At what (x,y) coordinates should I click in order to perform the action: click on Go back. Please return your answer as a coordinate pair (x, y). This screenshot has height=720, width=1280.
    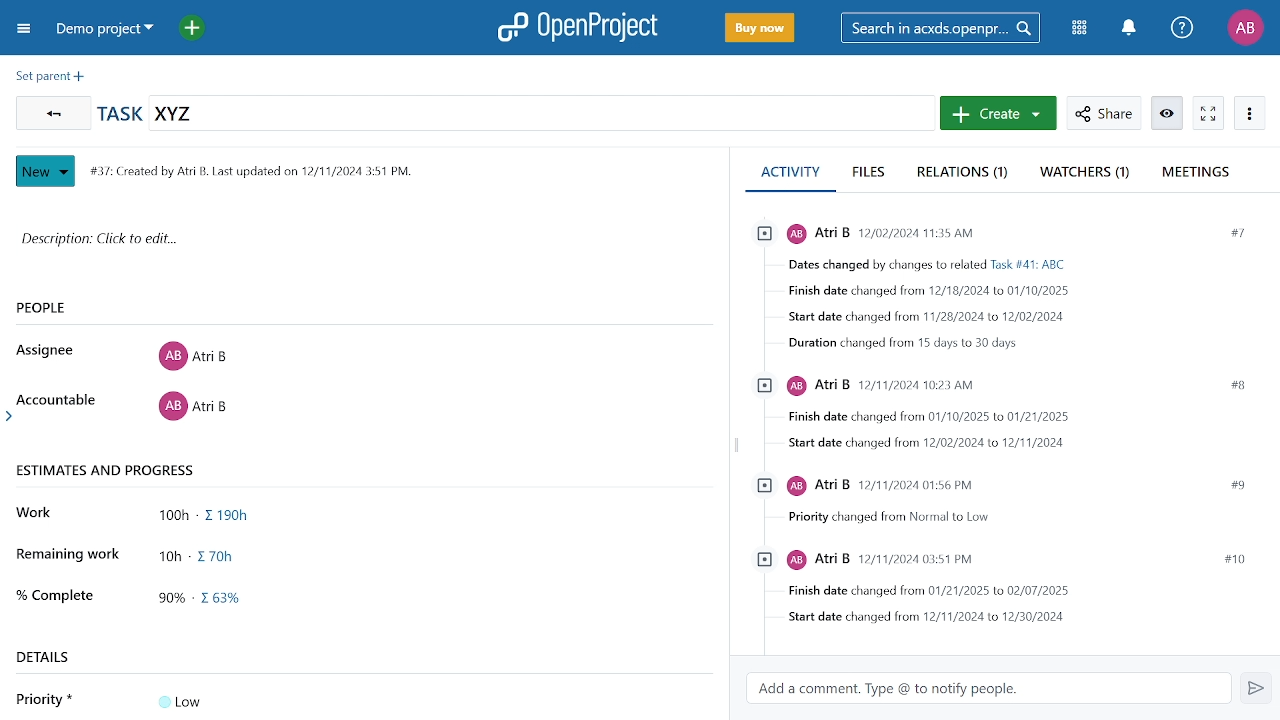
    Looking at the image, I should click on (52, 113).